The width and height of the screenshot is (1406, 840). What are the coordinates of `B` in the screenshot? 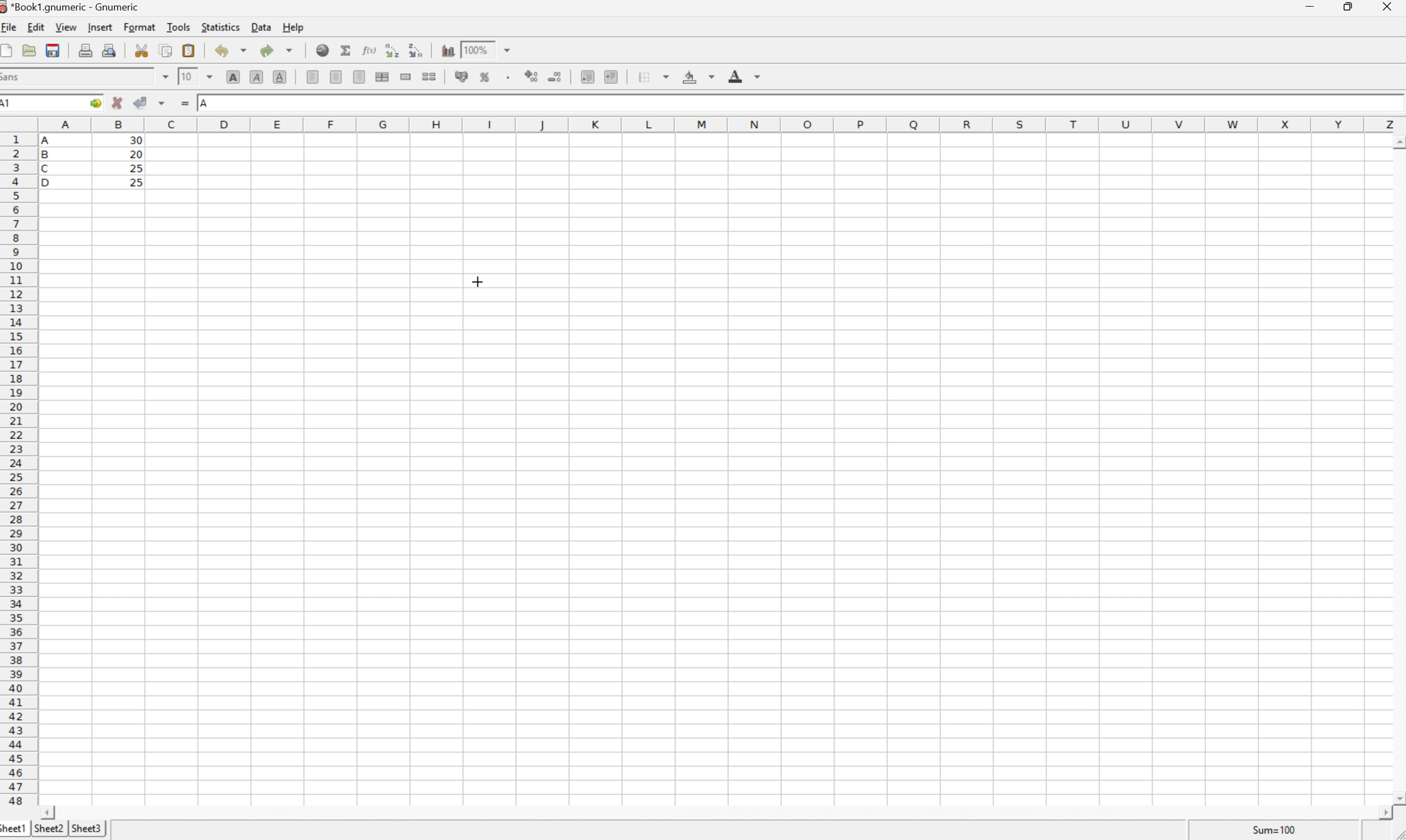 It's located at (49, 156).